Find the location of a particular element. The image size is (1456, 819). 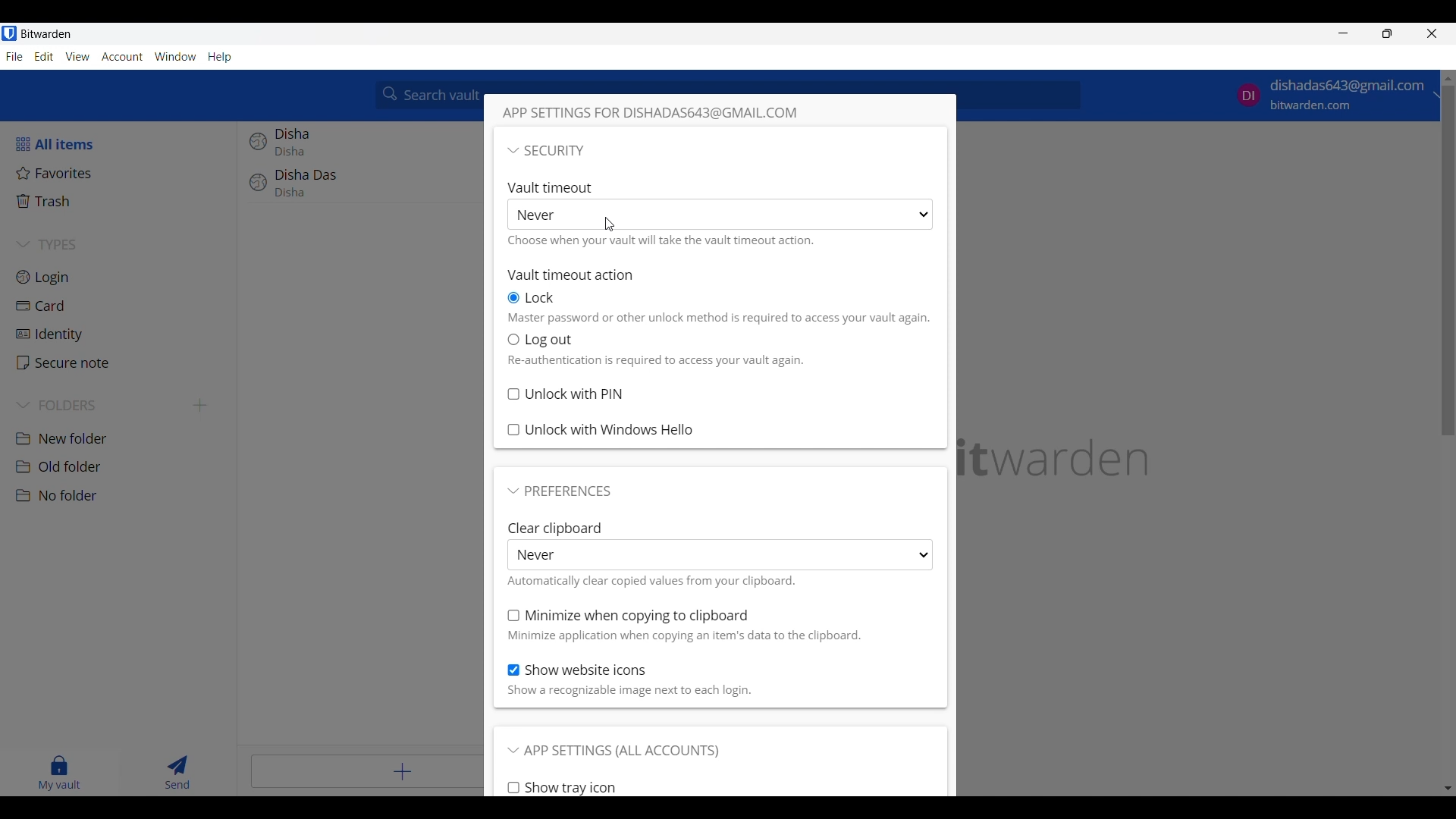

Window title is located at coordinates (667, 113).